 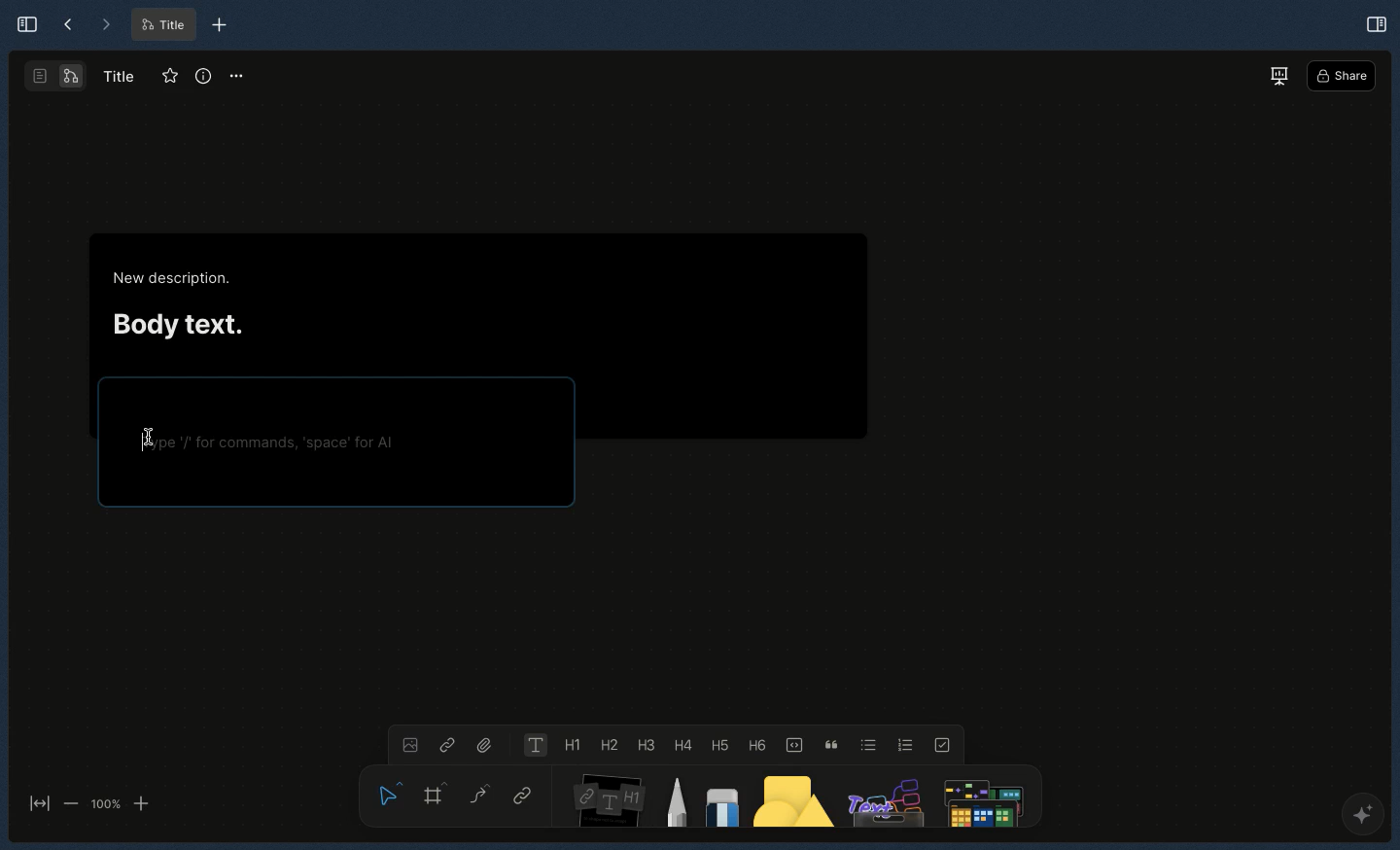 I want to click on Body text., so click(x=177, y=321).